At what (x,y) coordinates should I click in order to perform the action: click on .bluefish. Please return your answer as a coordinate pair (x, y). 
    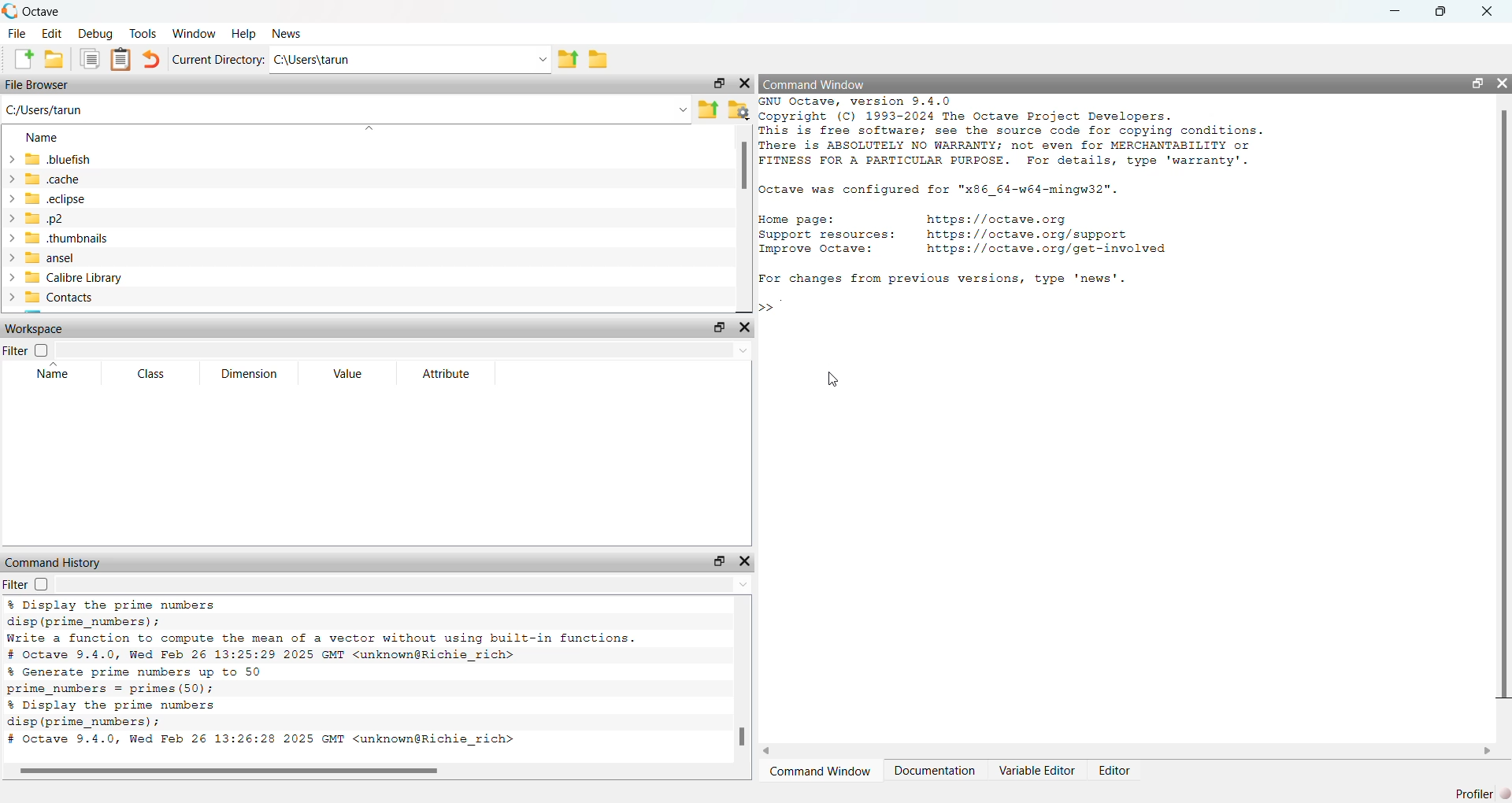
    Looking at the image, I should click on (58, 160).